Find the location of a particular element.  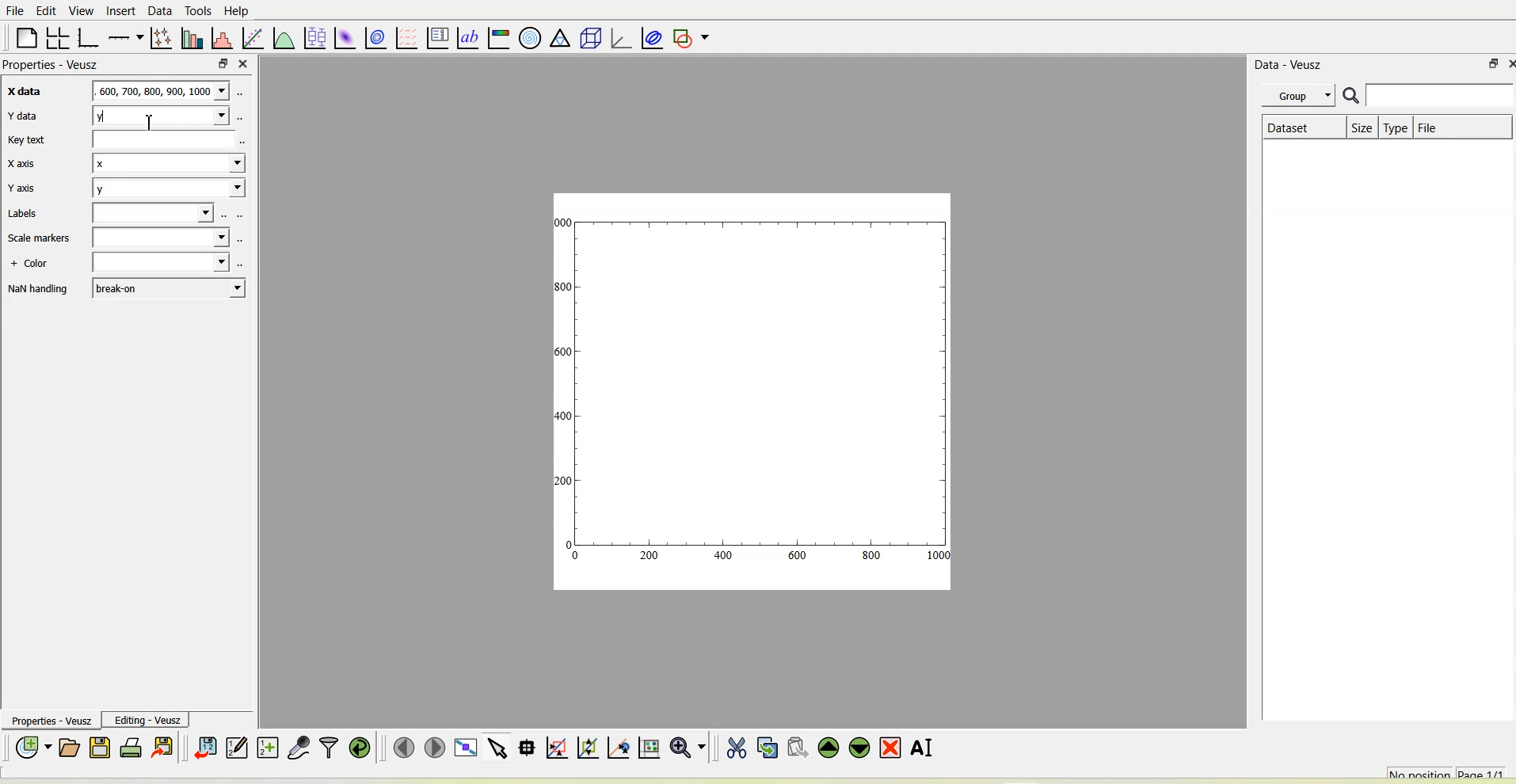

0 is located at coordinates (577, 558).